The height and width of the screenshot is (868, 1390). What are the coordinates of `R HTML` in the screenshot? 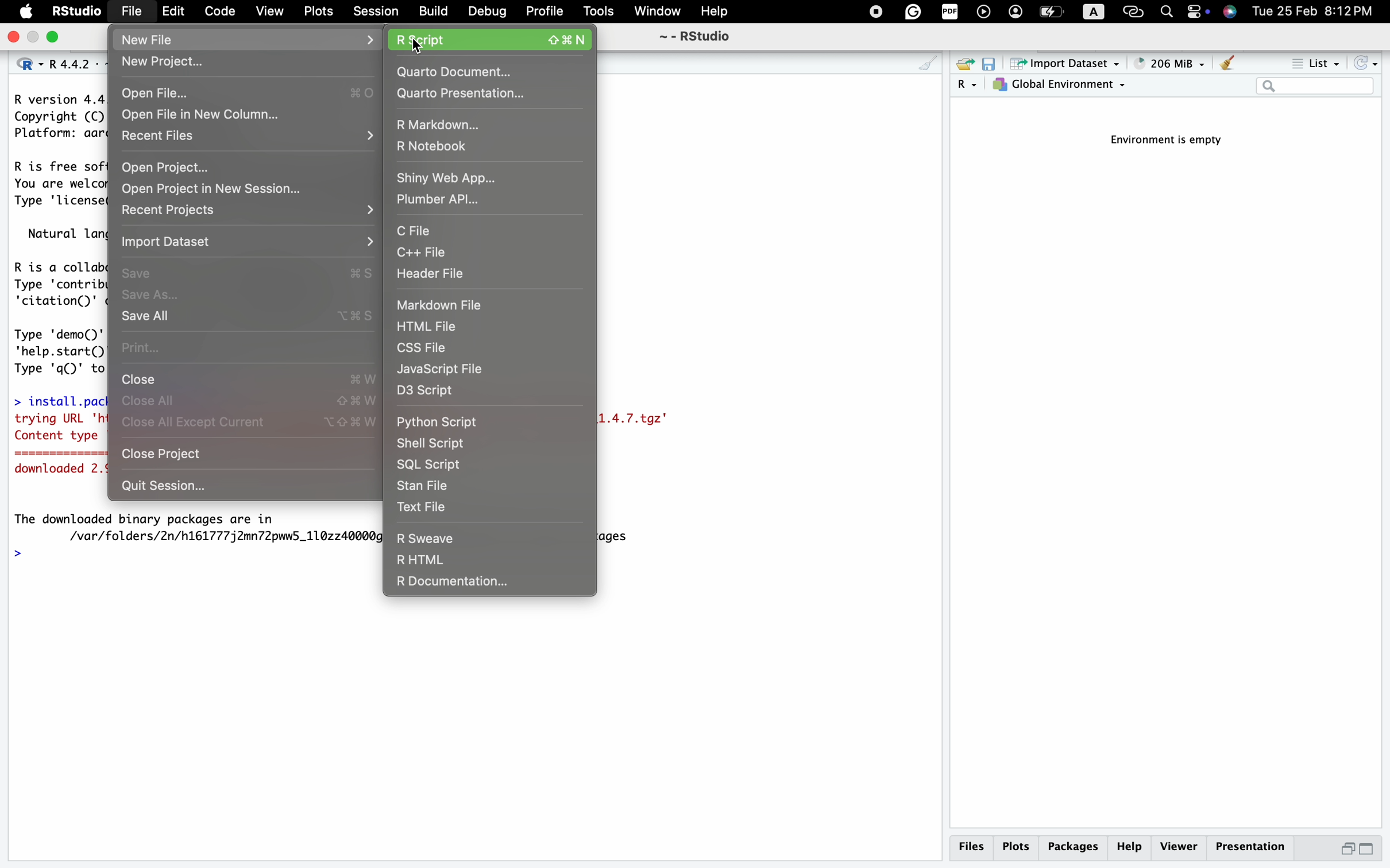 It's located at (457, 560).